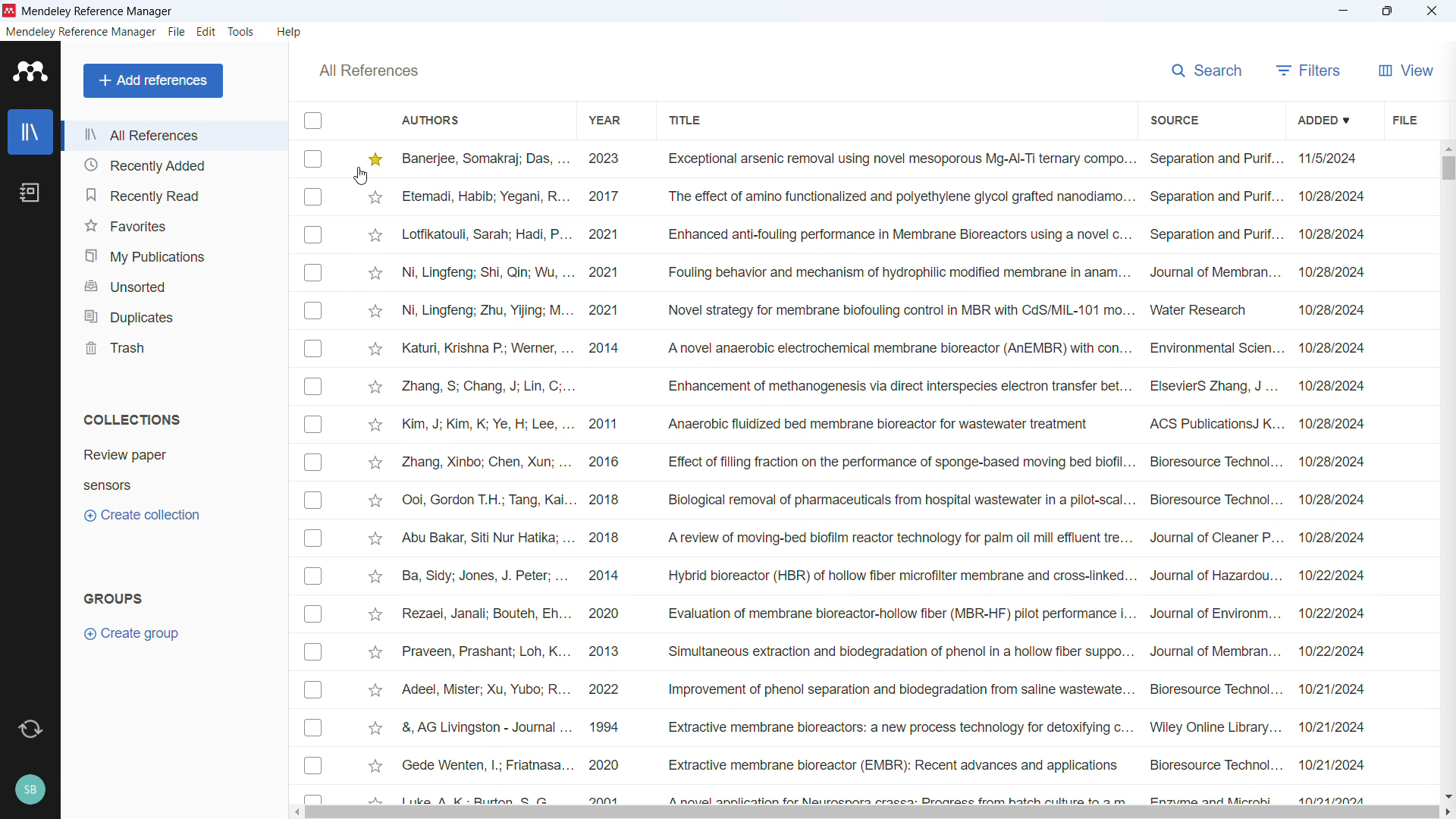  Describe the element at coordinates (1342, 11) in the screenshot. I see `minimise ` at that location.